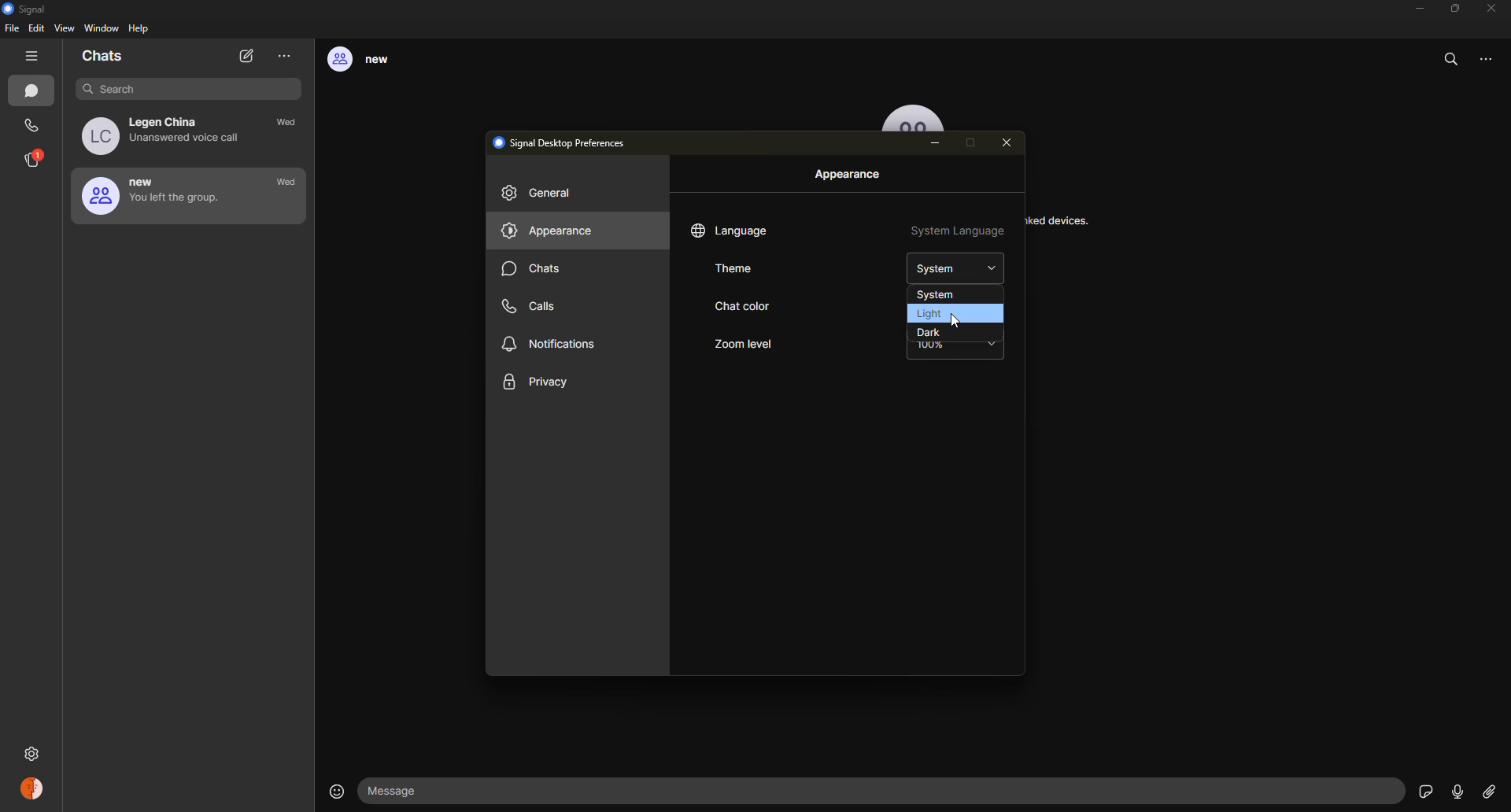 This screenshot has width=1511, height=812. What do you see at coordinates (35, 92) in the screenshot?
I see `chats` at bounding box center [35, 92].